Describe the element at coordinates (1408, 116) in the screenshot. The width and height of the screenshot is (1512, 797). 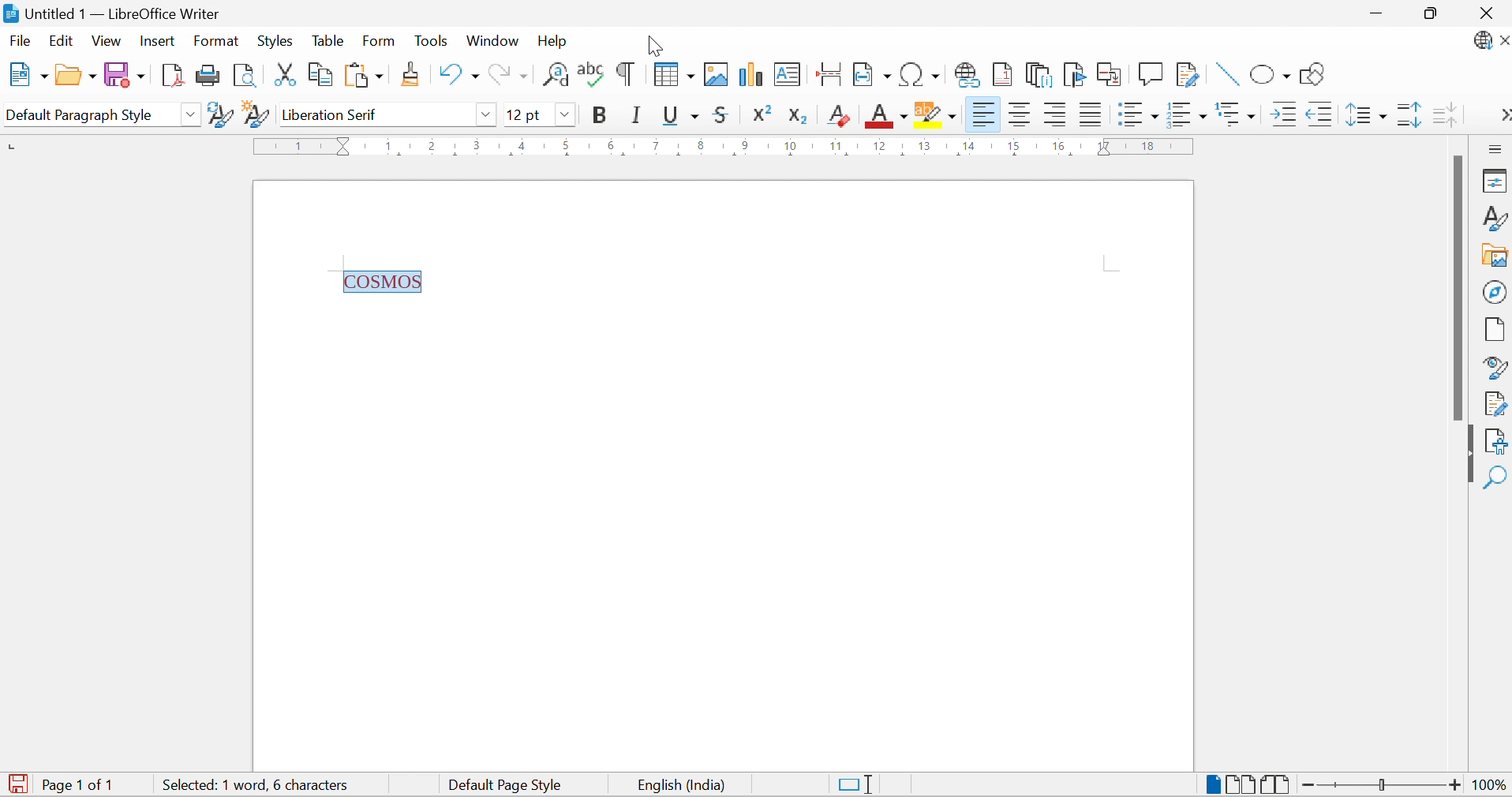
I see `Increase Paragraph Spacing` at that location.